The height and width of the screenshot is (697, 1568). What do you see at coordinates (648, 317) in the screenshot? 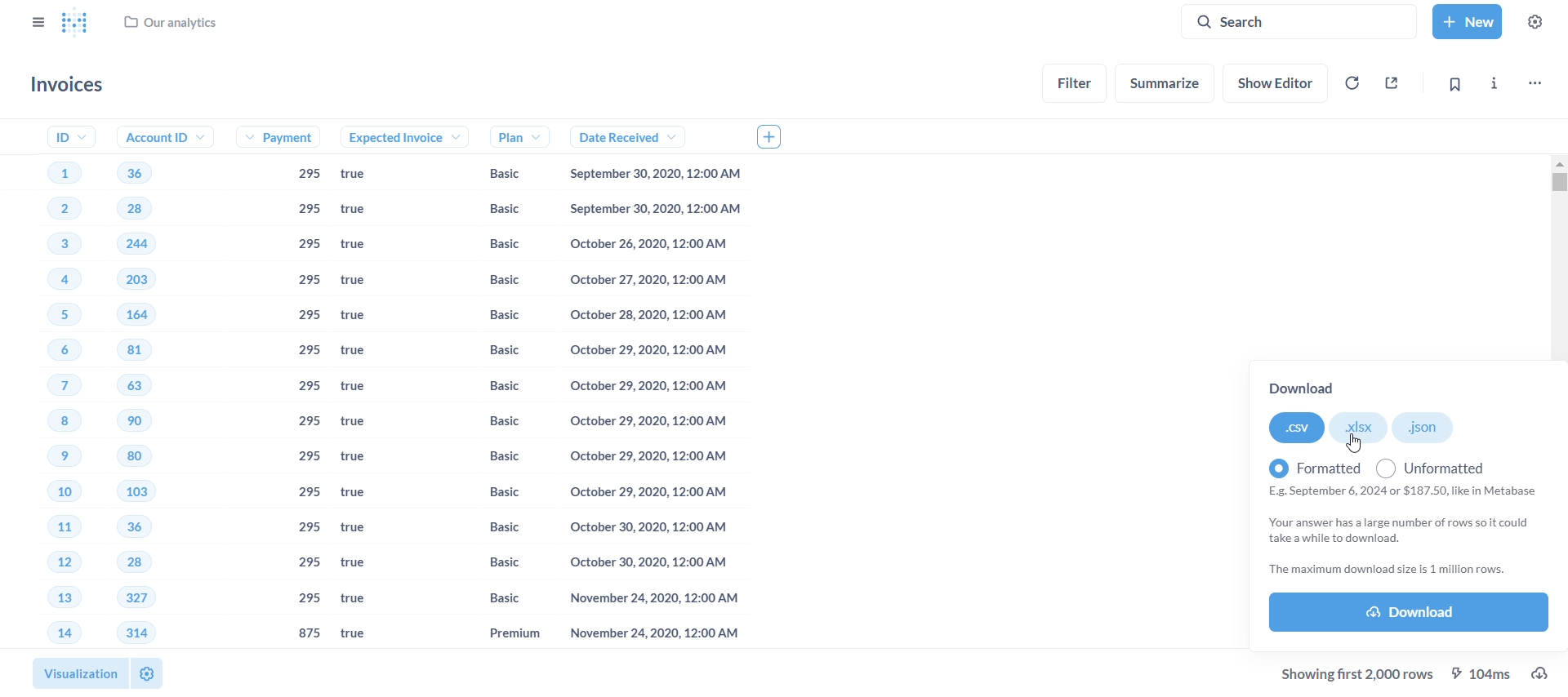
I see `October 28, 2020, 12:00 AM` at bounding box center [648, 317].